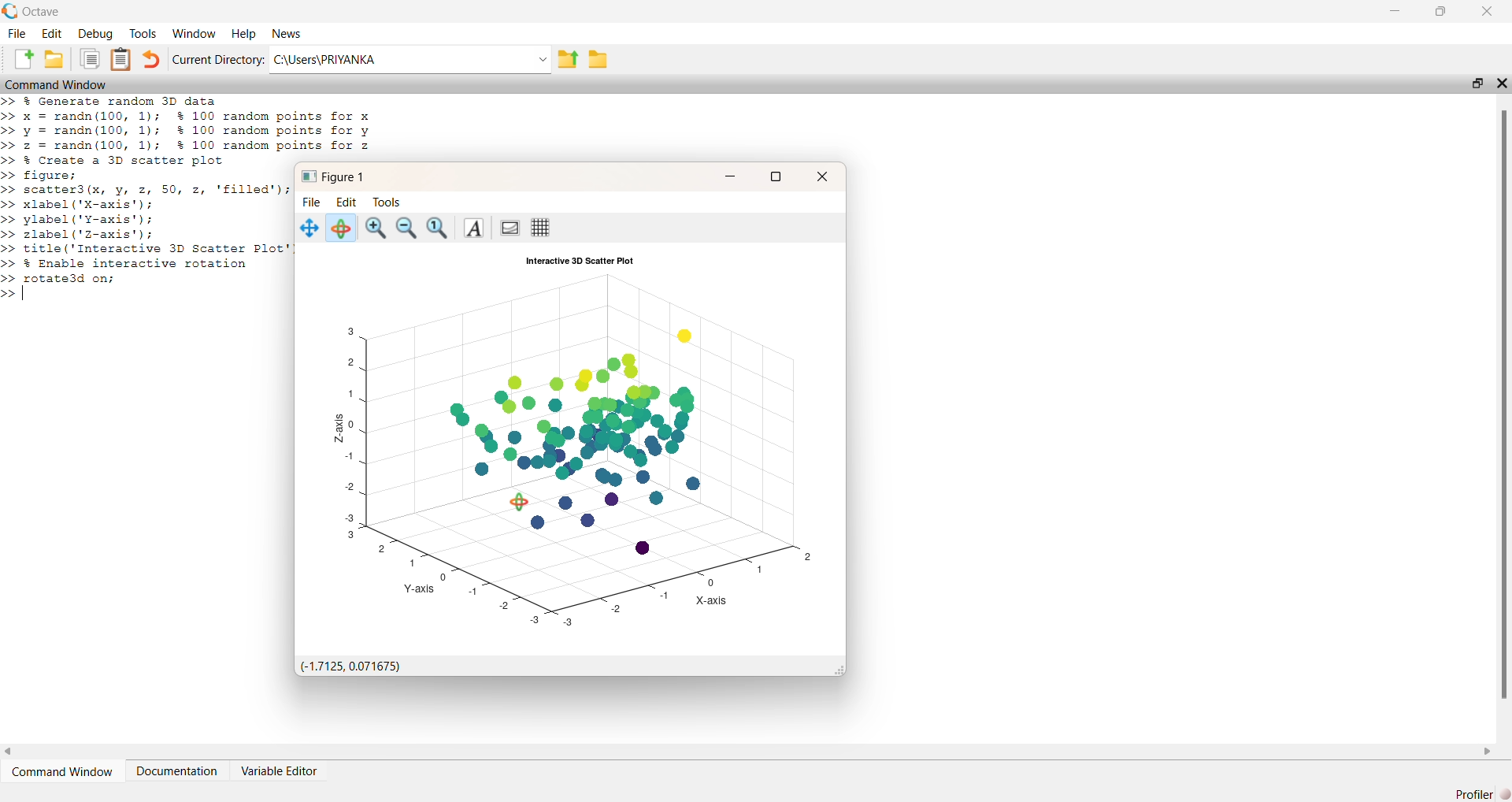  Describe the element at coordinates (218, 60) in the screenshot. I see `Current Directory:` at that location.